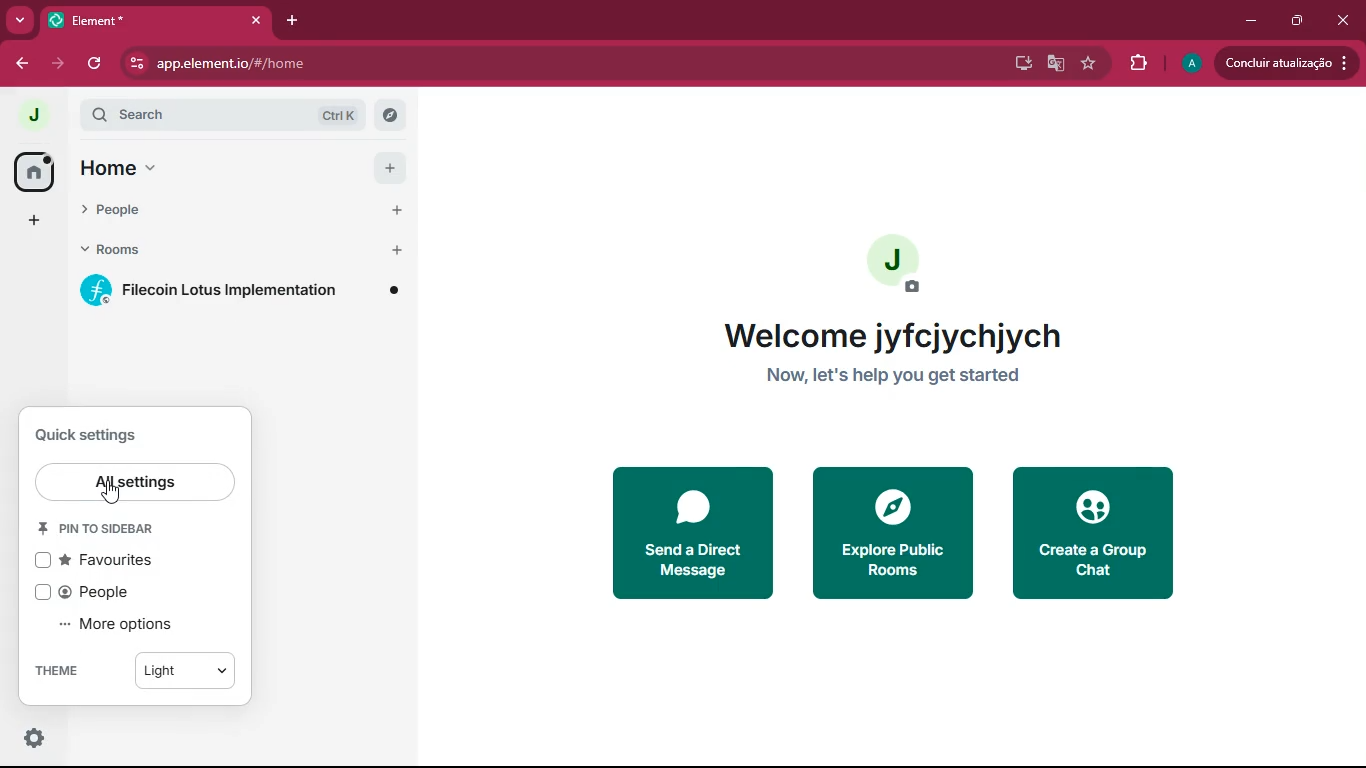 Image resolution: width=1366 pixels, height=768 pixels. What do you see at coordinates (94, 65) in the screenshot?
I see `refresh` at bounding box center [94, 65].